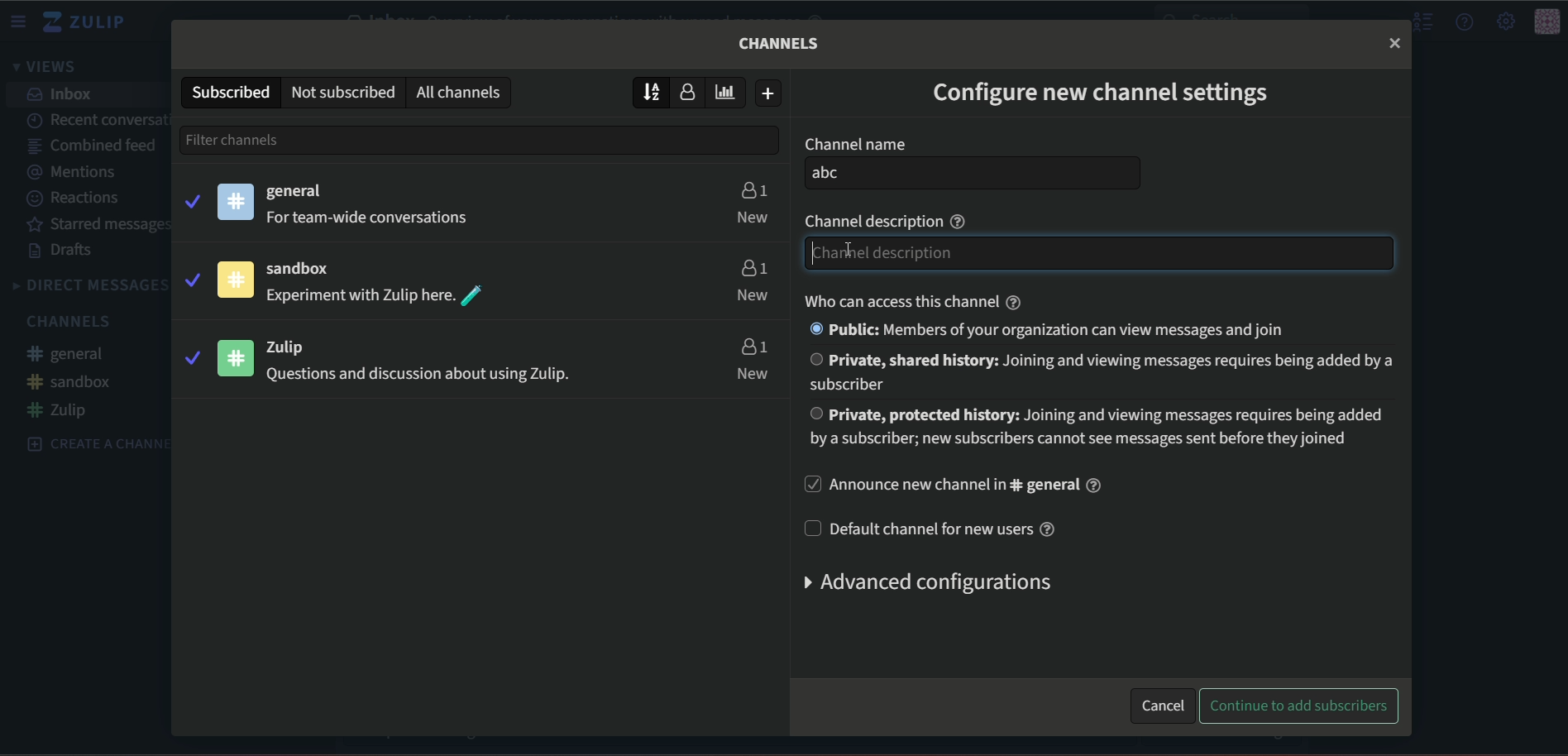 The height and width of the screenshot is (756, 1568). Describe the element at coordinates (1058, 331) in the screenshot. I see `Public: Members of your organization can view messages and join` at that location.